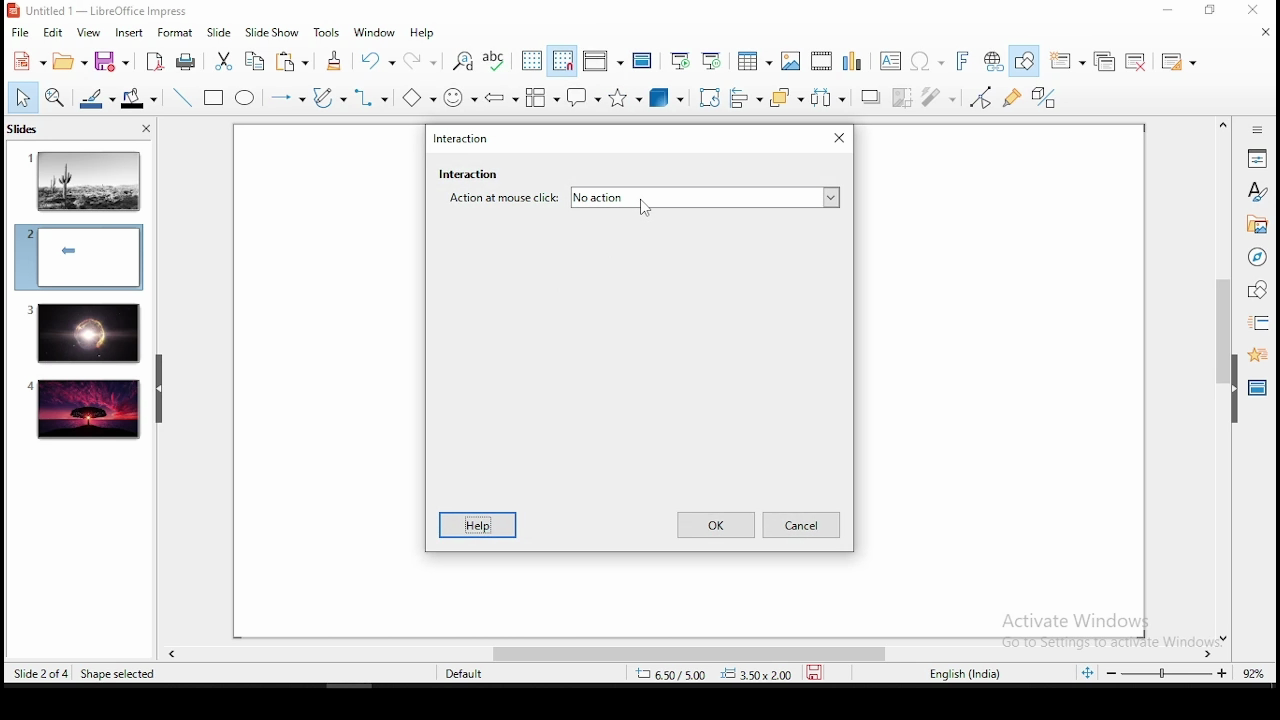 This screenshot has width=1280, height=720. Describe the element at coordinates (85, 410) in the screenshot. I see `slide` at that location.